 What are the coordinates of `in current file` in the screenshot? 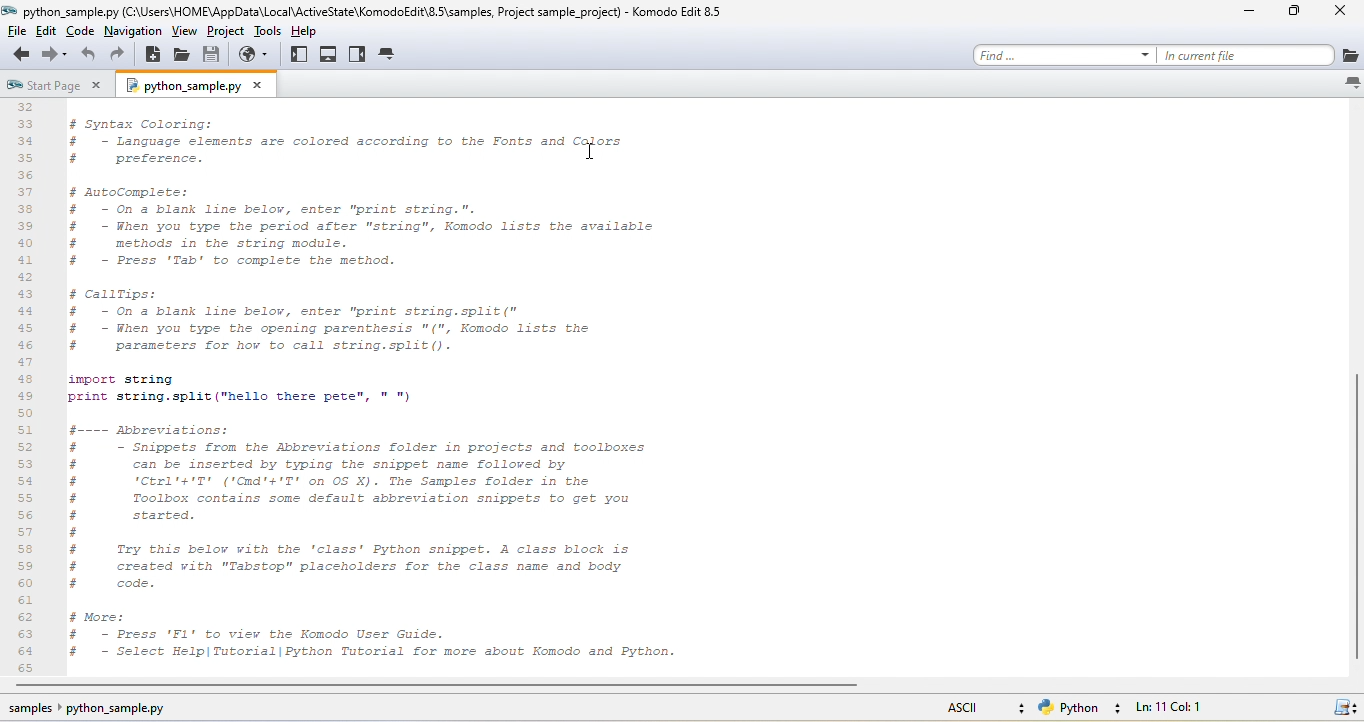 It's located at (1267, 55).